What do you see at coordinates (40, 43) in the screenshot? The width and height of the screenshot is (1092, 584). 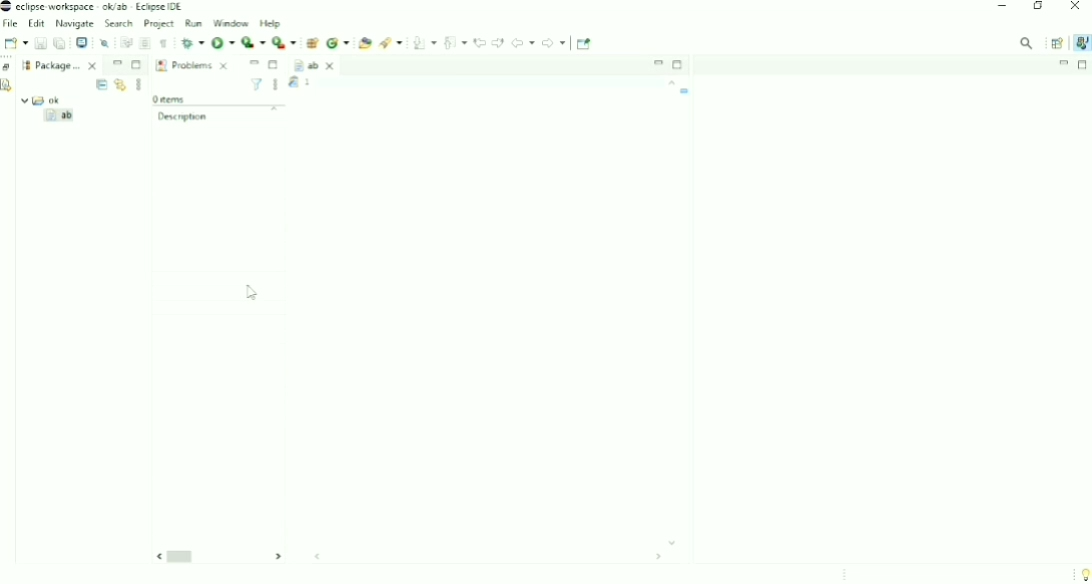 I see `Save` at bounding box center [40, 43].